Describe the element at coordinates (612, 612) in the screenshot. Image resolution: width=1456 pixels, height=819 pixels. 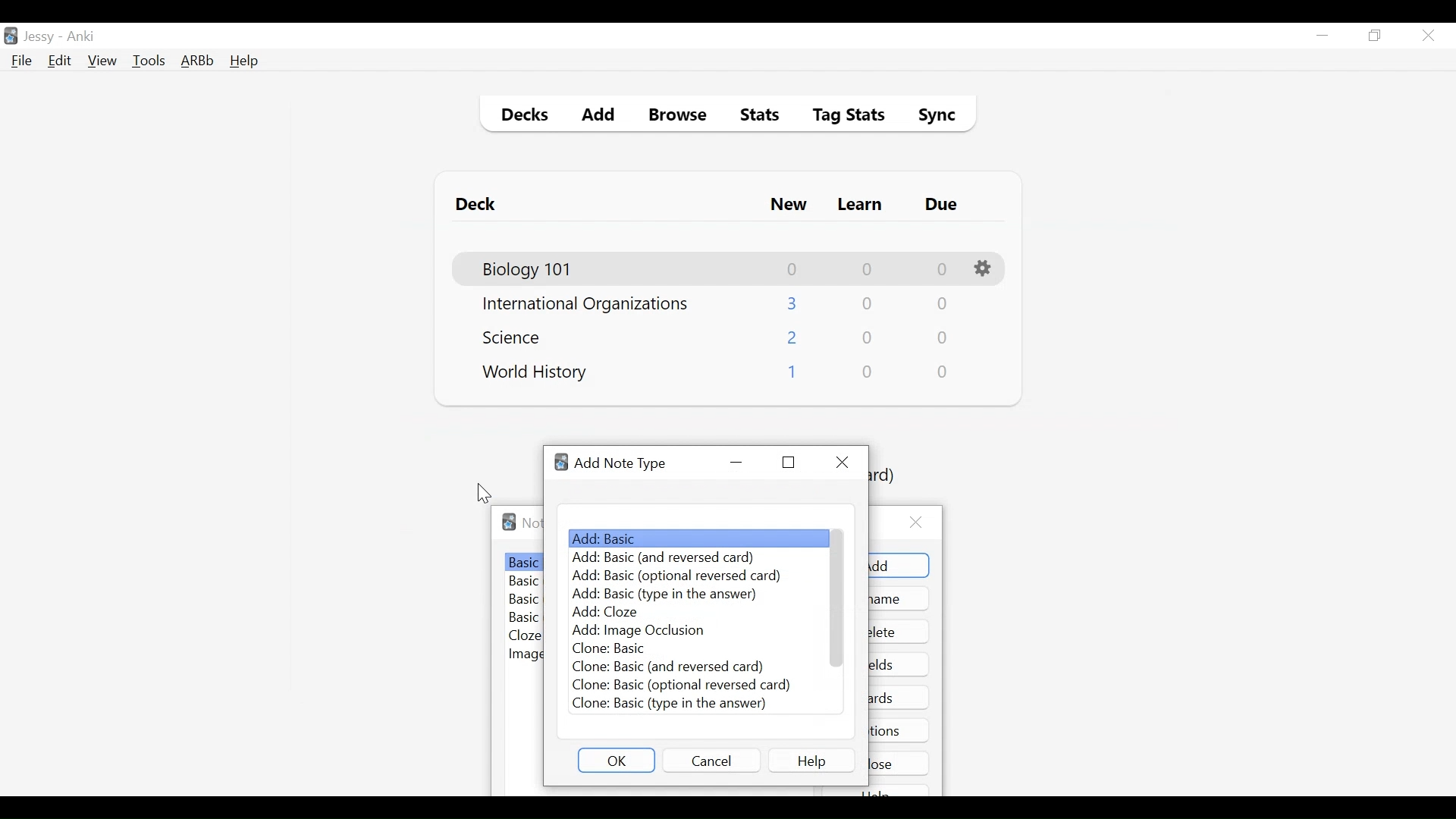
I see `Add: Cloze` at that location.